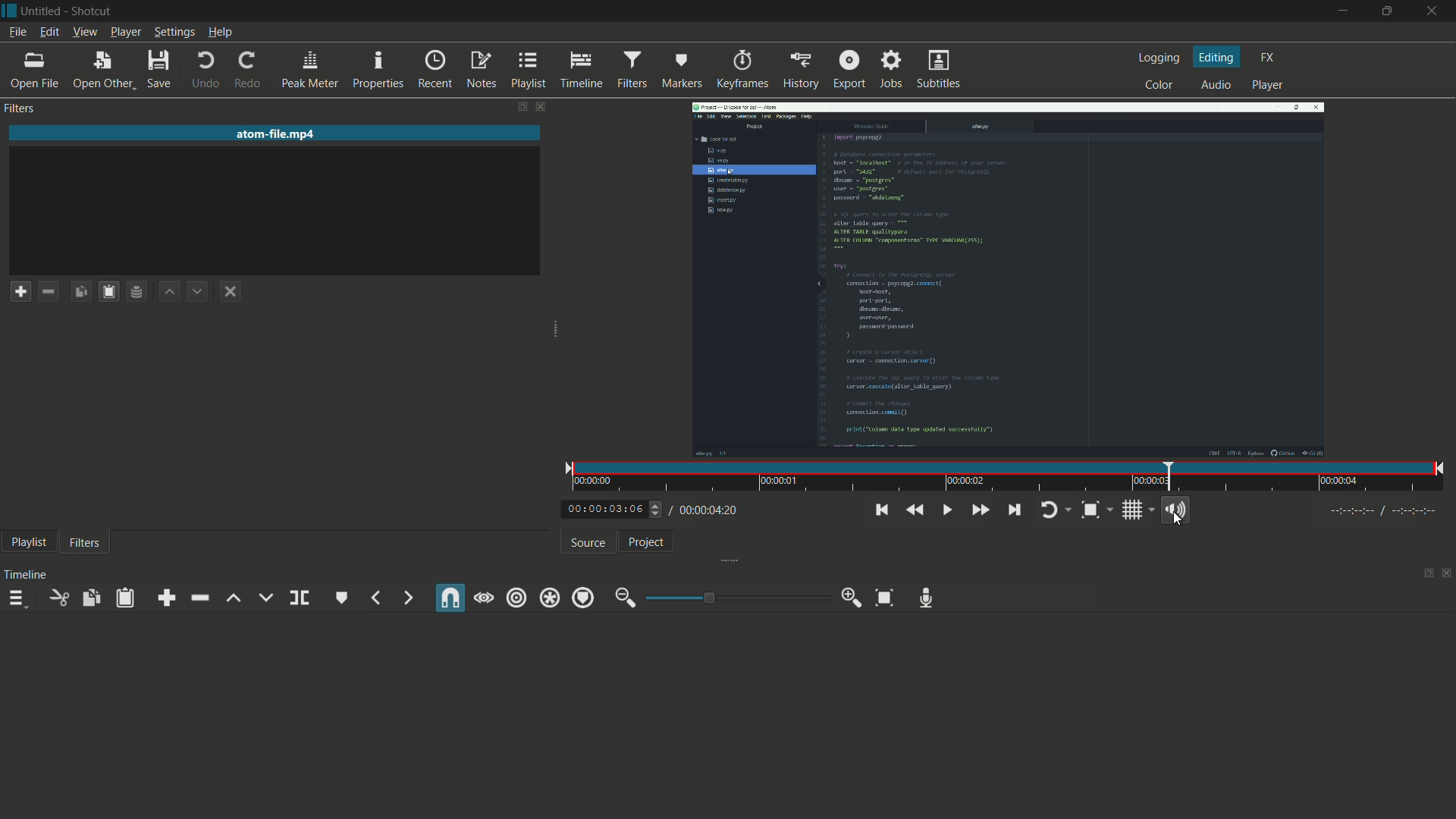 This screenshot has width=1456, height=819. I want to click on split at playhead, so click(300, 598).